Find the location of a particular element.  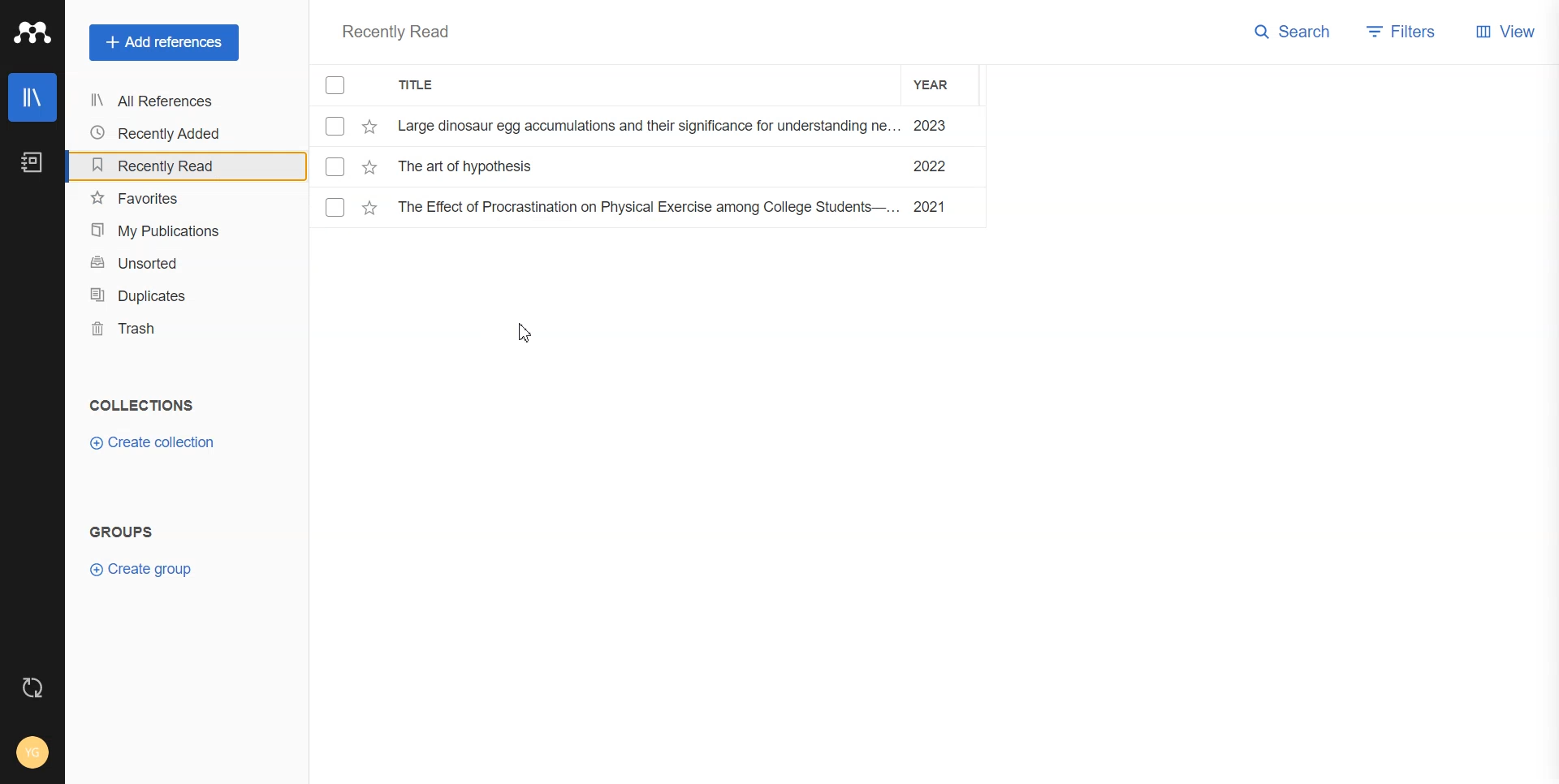

Logo is located at coordinates (32, 33).